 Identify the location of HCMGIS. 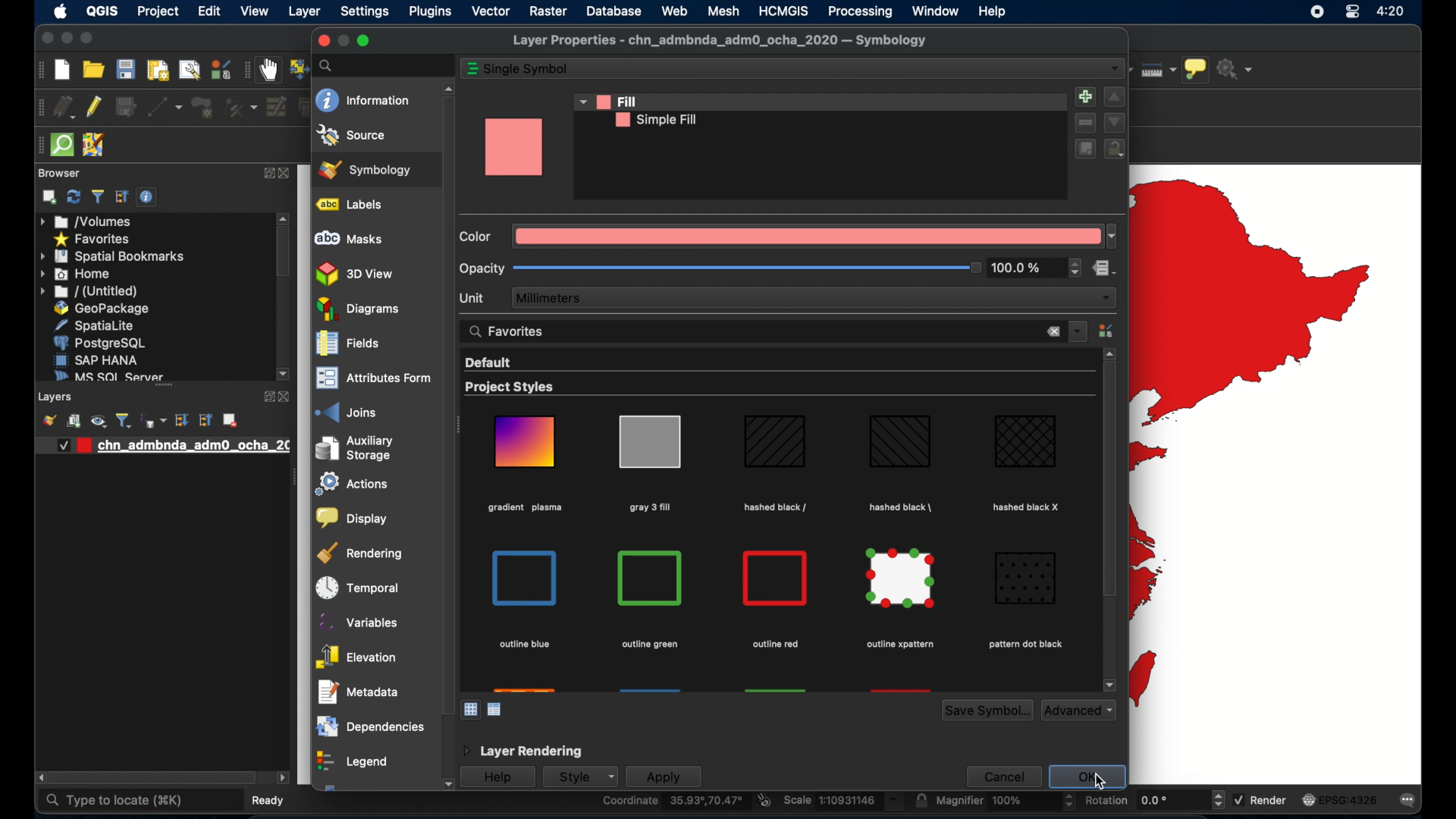
(783, 11).